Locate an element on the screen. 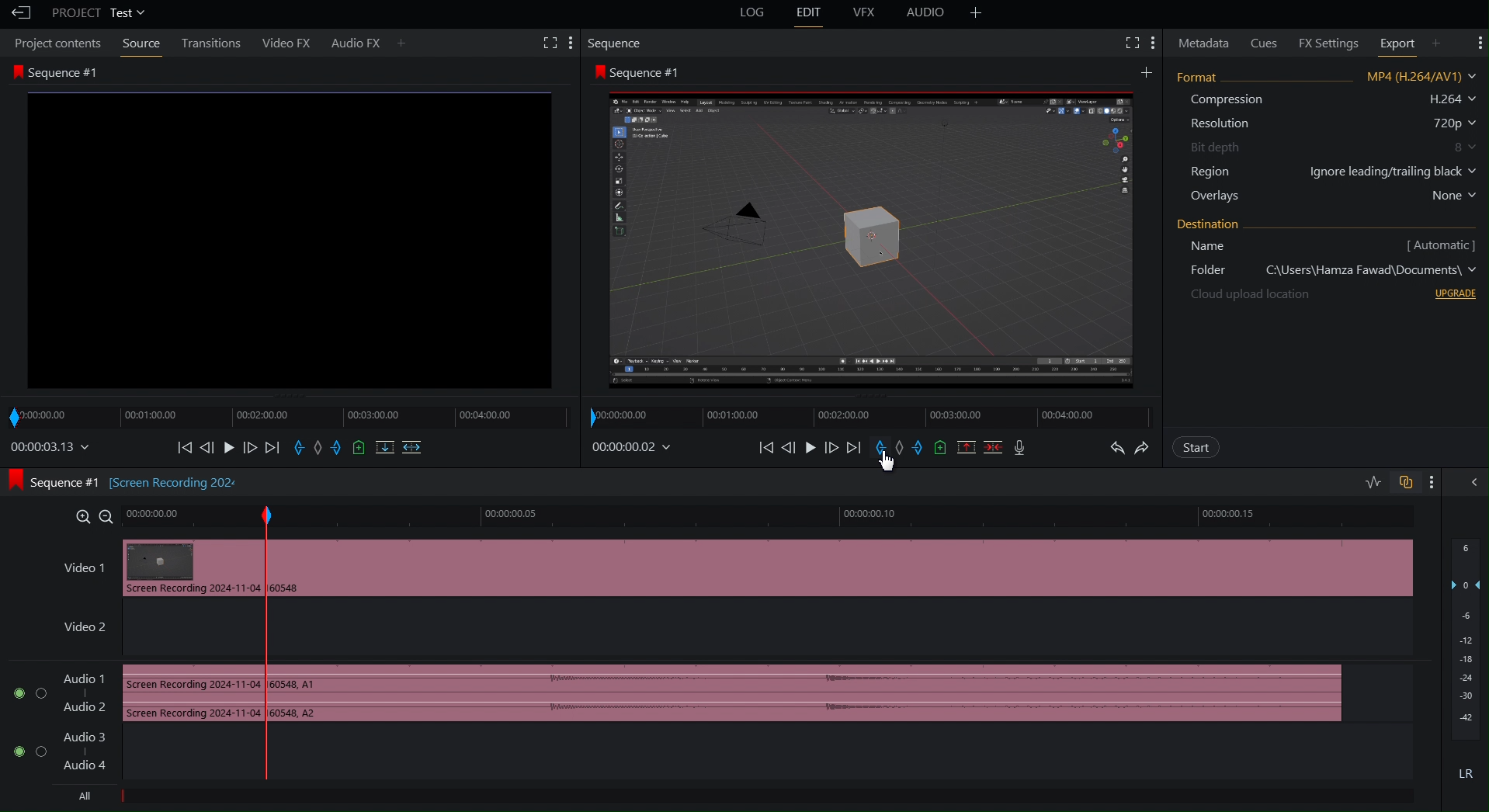 This screenshot has width=1489, height=812. Undo is located at coordinates (1117, 447).